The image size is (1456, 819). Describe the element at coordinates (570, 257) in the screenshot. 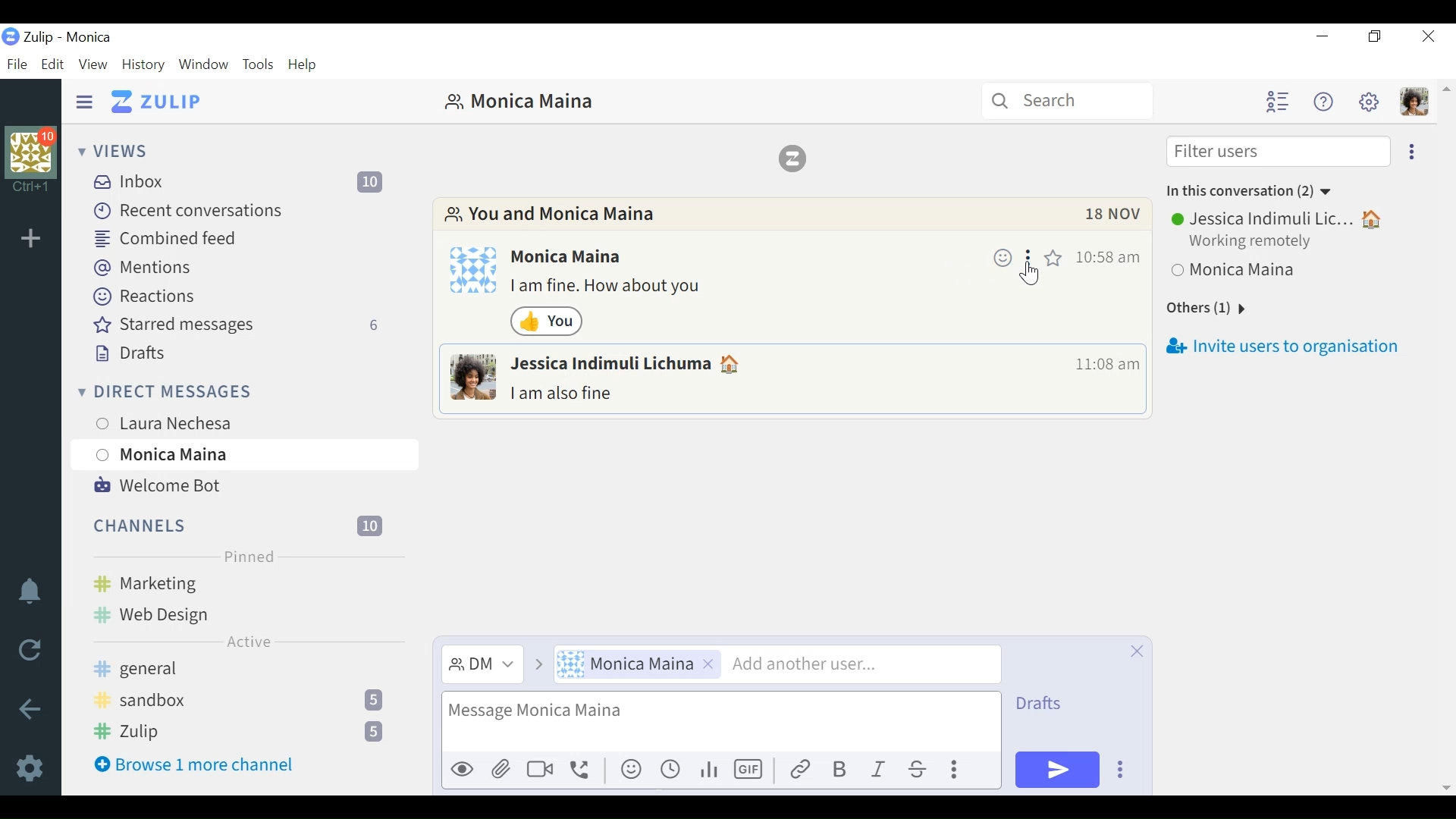

I see `Monica Maina` at that location.